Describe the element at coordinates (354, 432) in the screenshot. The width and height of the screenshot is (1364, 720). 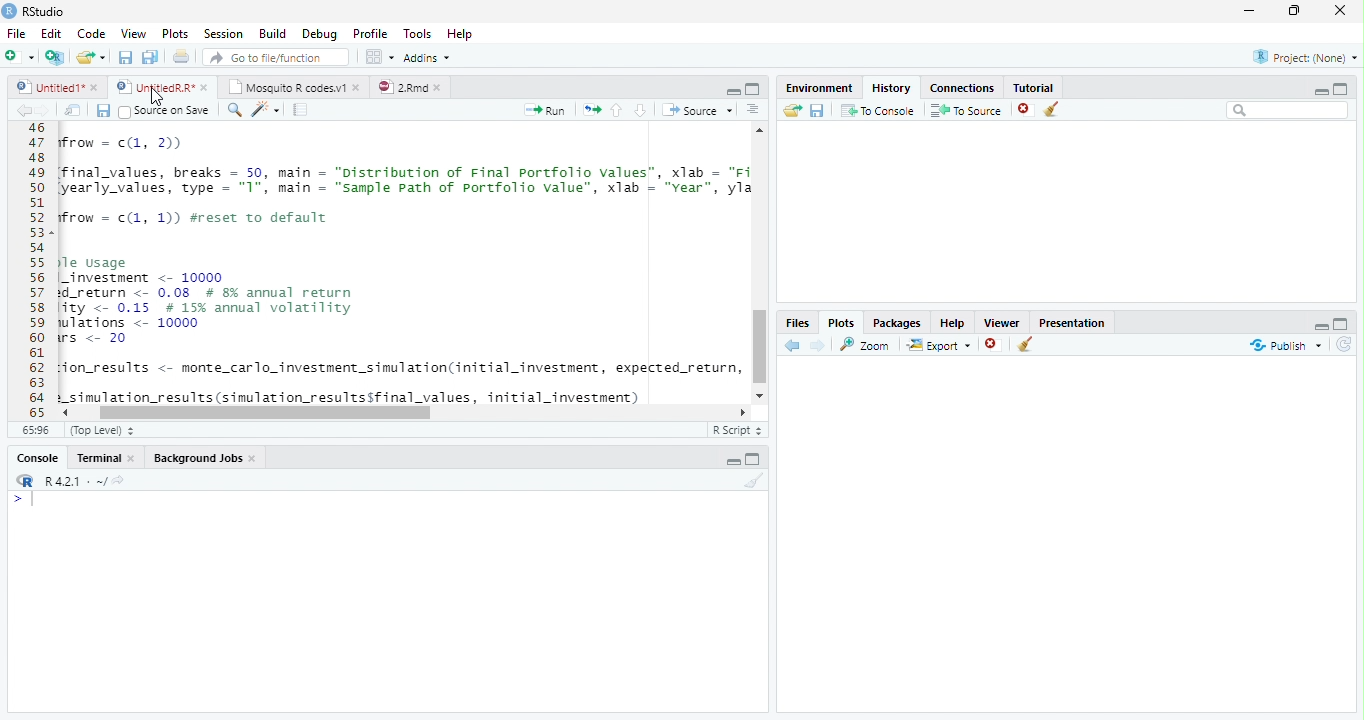
I see `monte_cario investment _simuiation{initial investment, expected_return, volatility, num simulations, num years)` at that location.